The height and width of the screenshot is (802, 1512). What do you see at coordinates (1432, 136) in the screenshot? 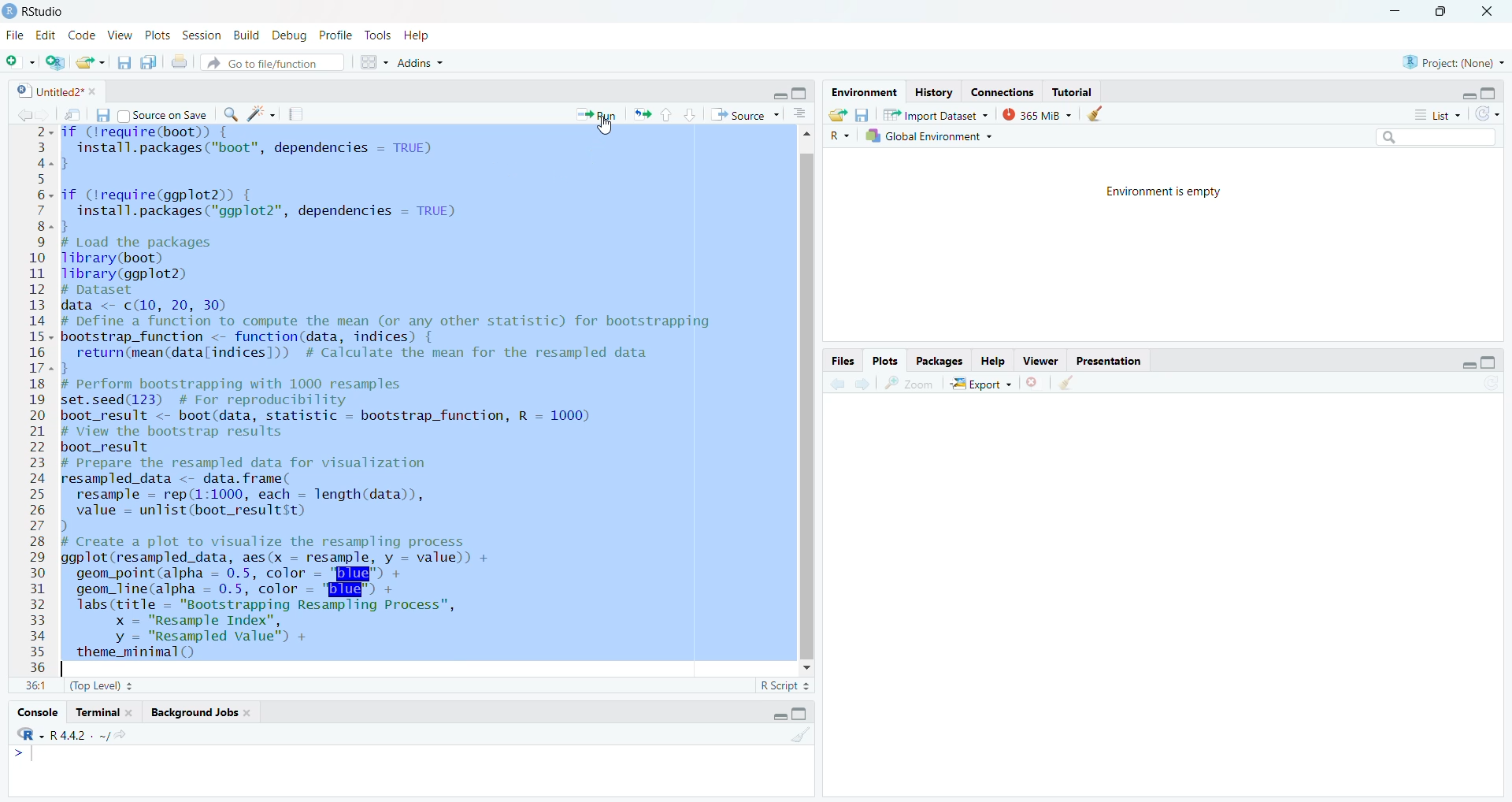
I see `search bar` at bounding box center [1432, 136].